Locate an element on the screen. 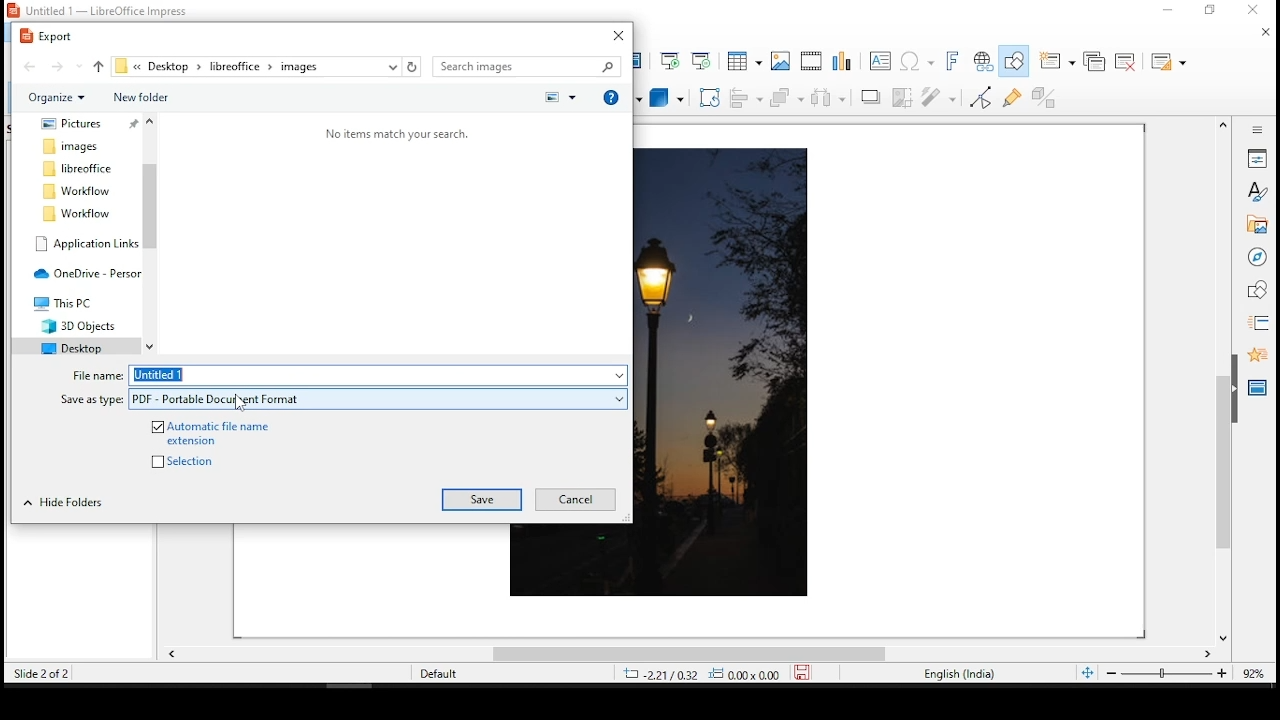 The height and width of the screenshot is (720, 1280). cancel is located at coordinates (574, 498).